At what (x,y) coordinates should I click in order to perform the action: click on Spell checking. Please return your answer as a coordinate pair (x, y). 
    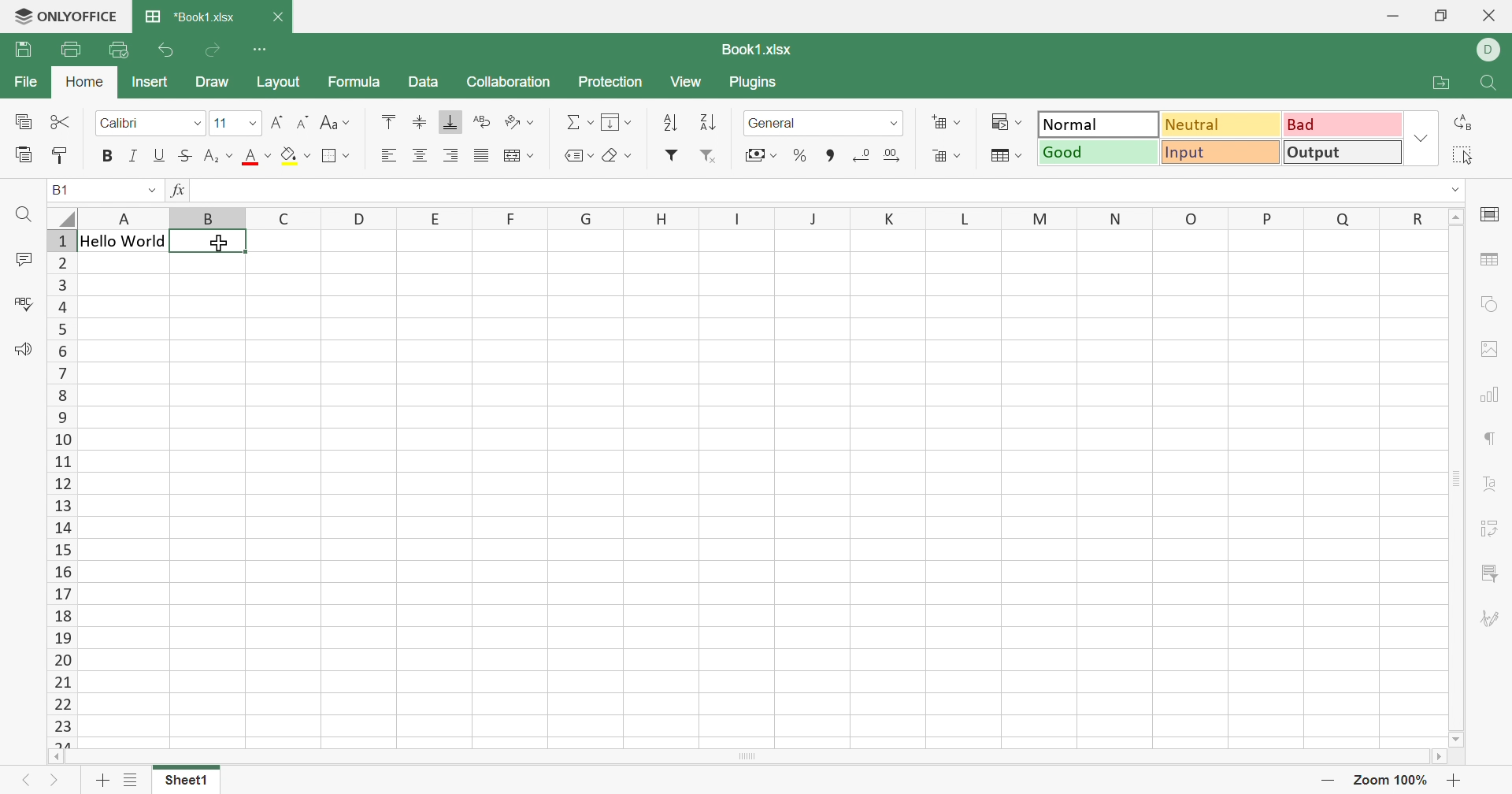
    Looking at the image, I should click on (26, 304).